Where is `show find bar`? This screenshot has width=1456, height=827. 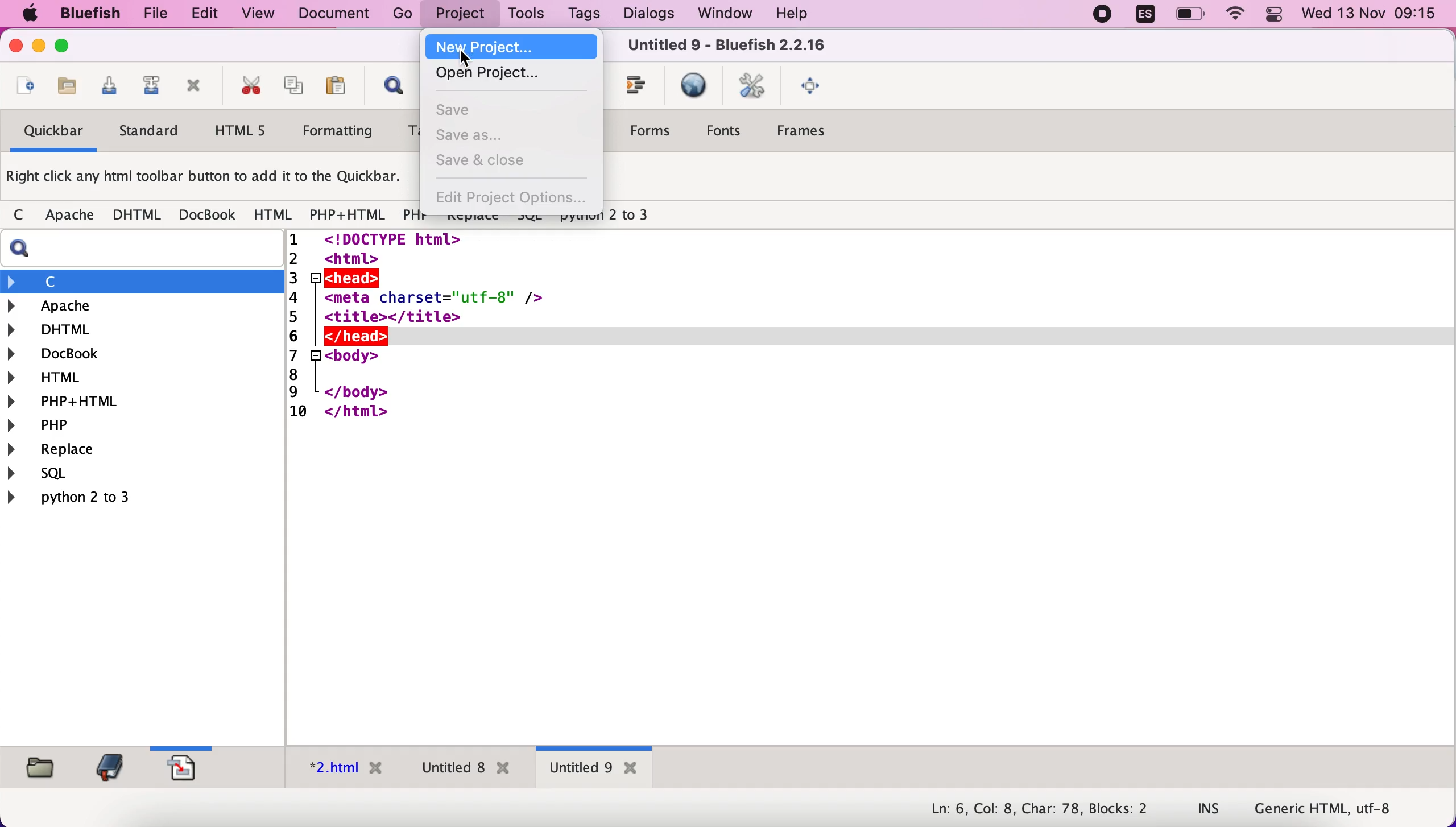
show find bar is located at coordinates (388, 89).